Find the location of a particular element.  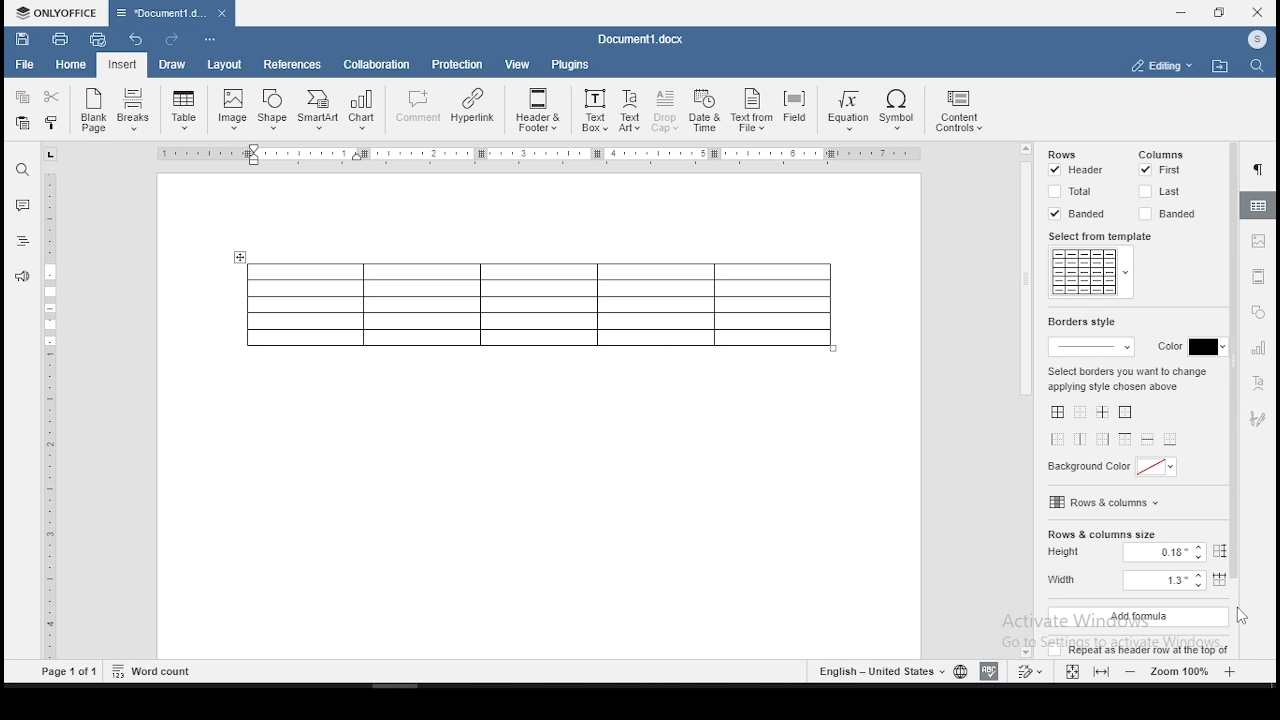

Hyperlink is located at coordinates (473, 106).